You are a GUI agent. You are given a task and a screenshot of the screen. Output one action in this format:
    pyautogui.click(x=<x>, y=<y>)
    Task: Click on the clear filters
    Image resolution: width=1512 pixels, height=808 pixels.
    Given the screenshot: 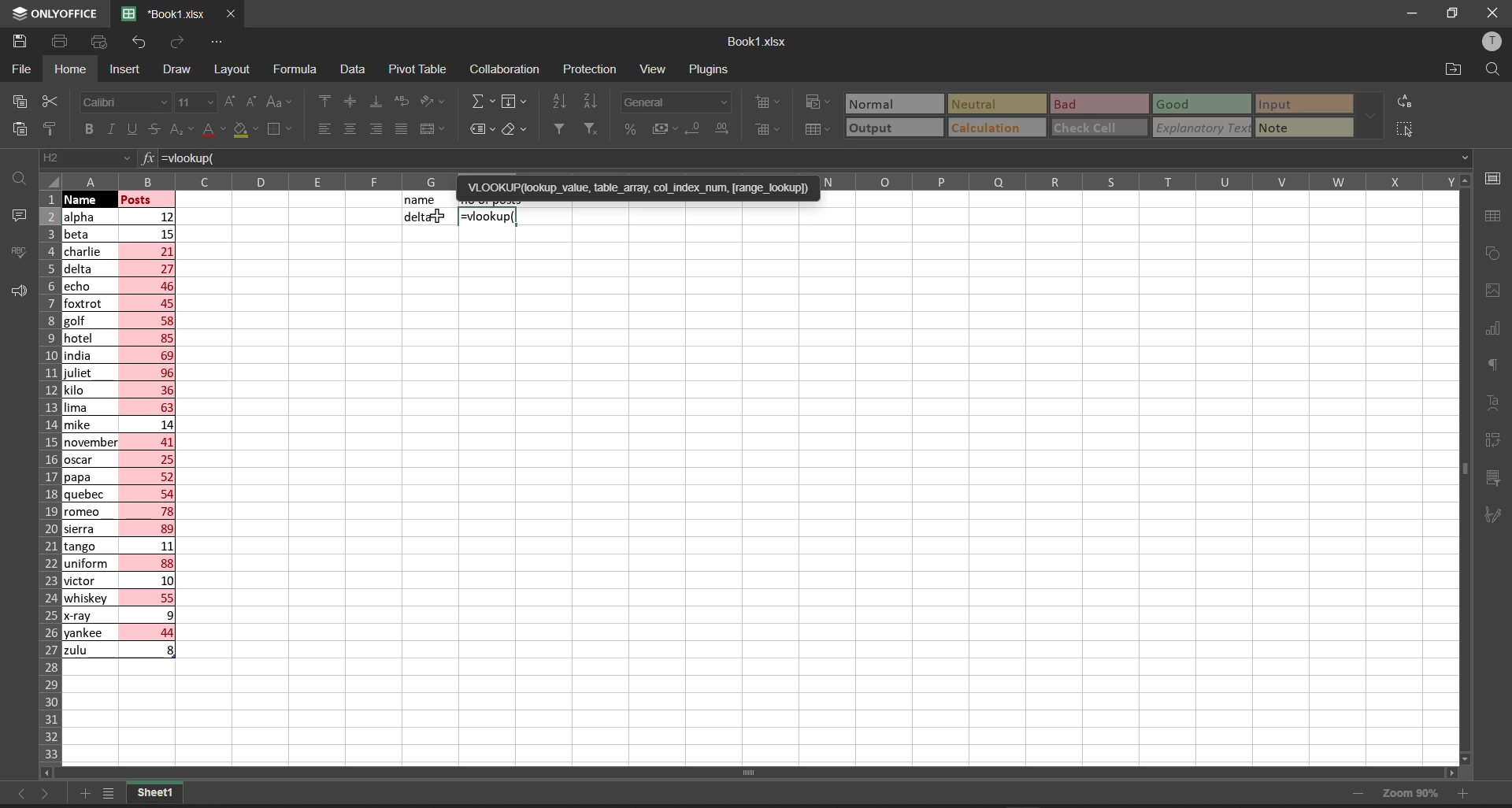 What is the action you would take?
    pyautogui.click(x=591, y=128)
    